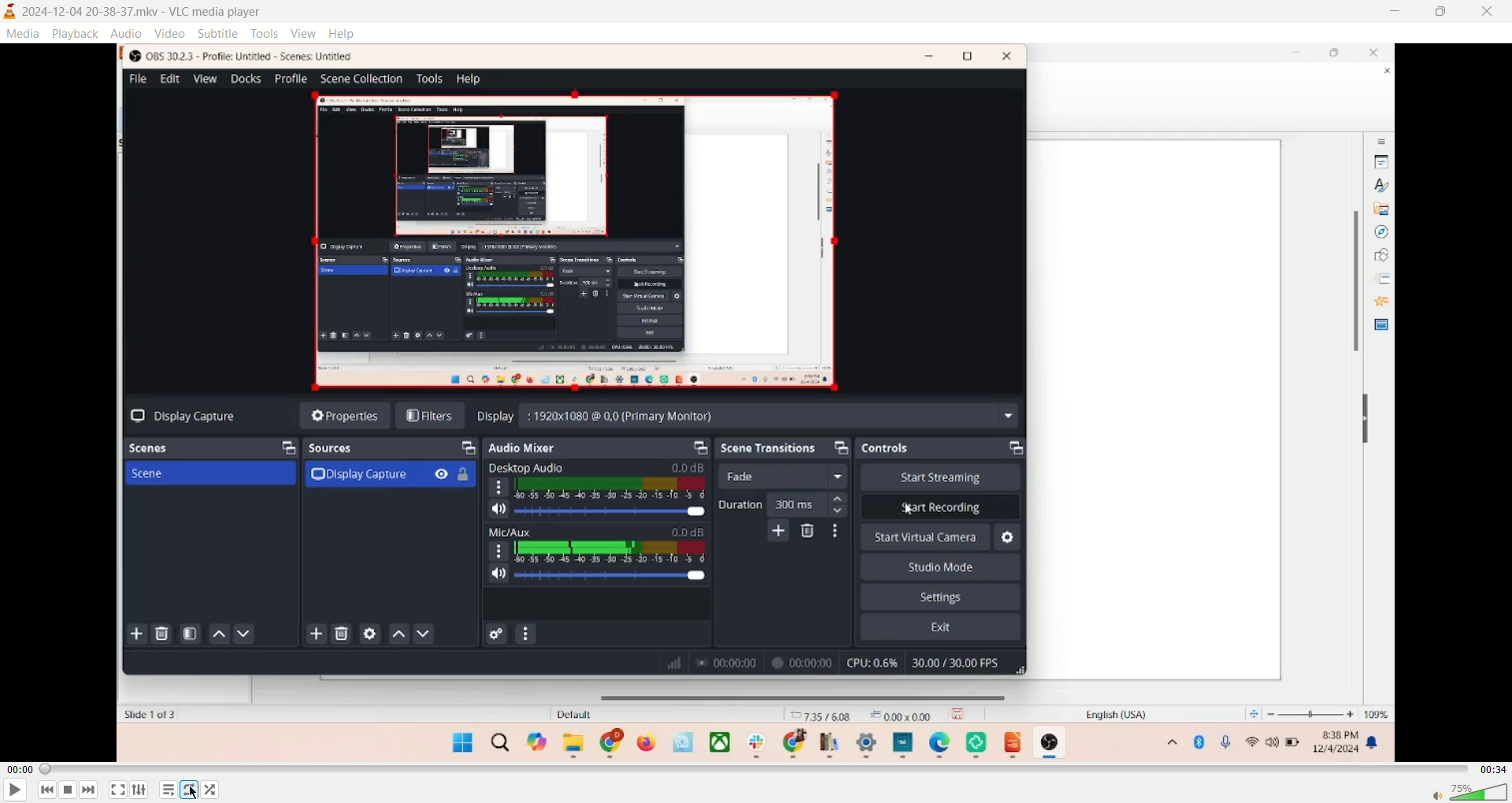 This screenshot has width=1512, height=803. What do you see at coordinates (196, 794) in the screenshot?
I see `cursor` at bounding box center [196, 794].